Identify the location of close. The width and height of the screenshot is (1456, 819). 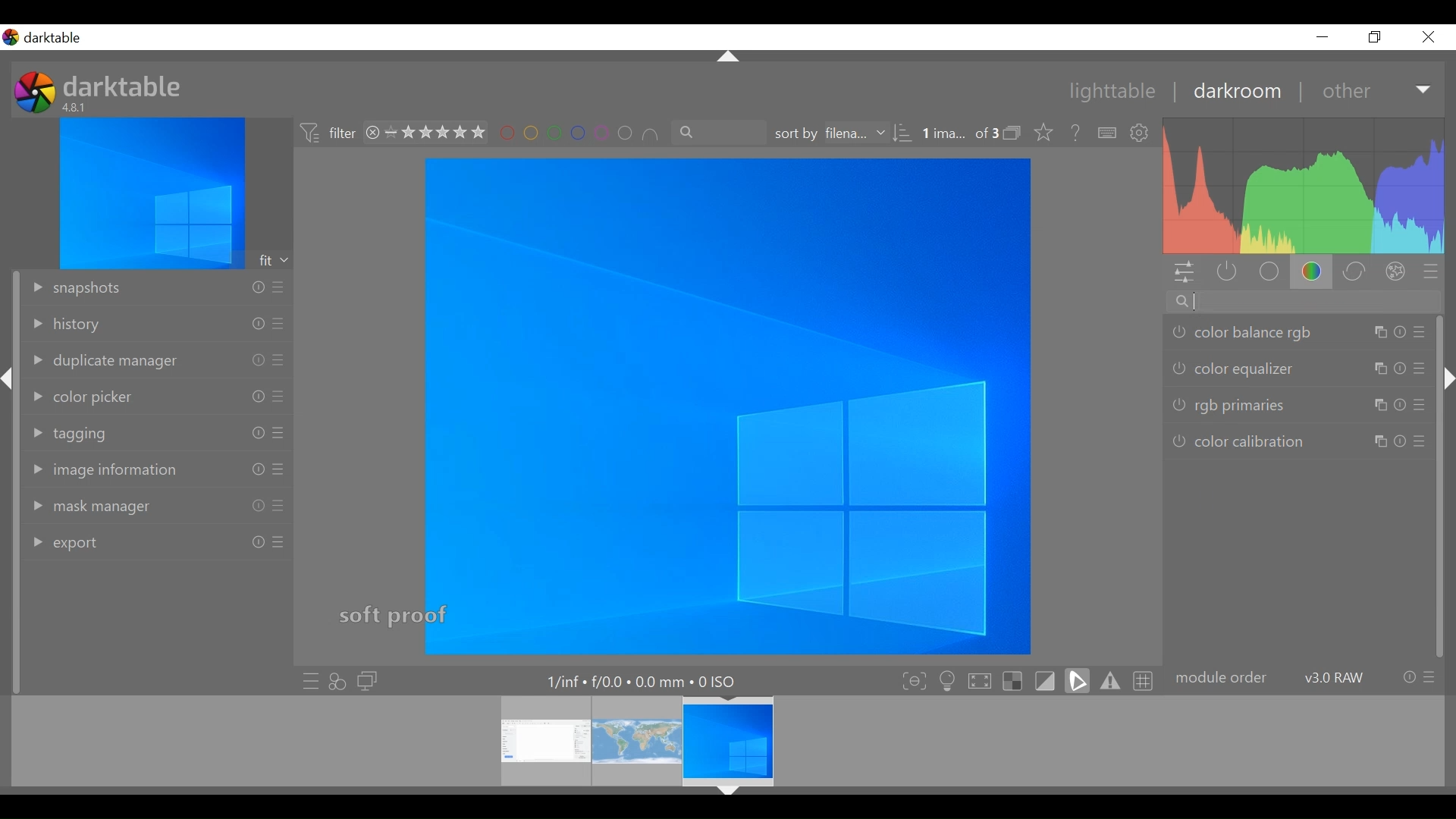
(1427, 37).